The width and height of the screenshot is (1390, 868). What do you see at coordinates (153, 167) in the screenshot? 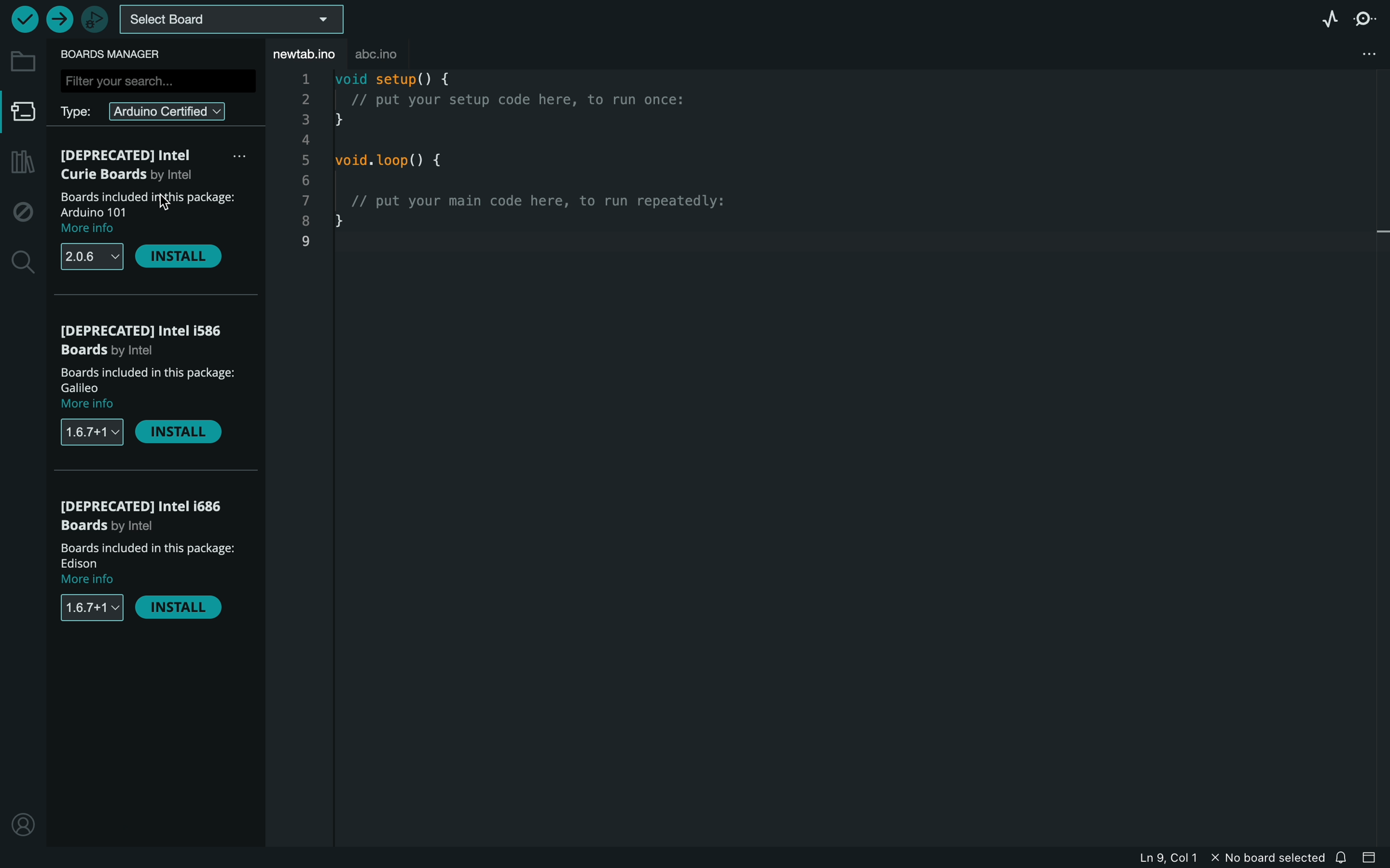
I see `curie board` at bounding box center [153, 167].